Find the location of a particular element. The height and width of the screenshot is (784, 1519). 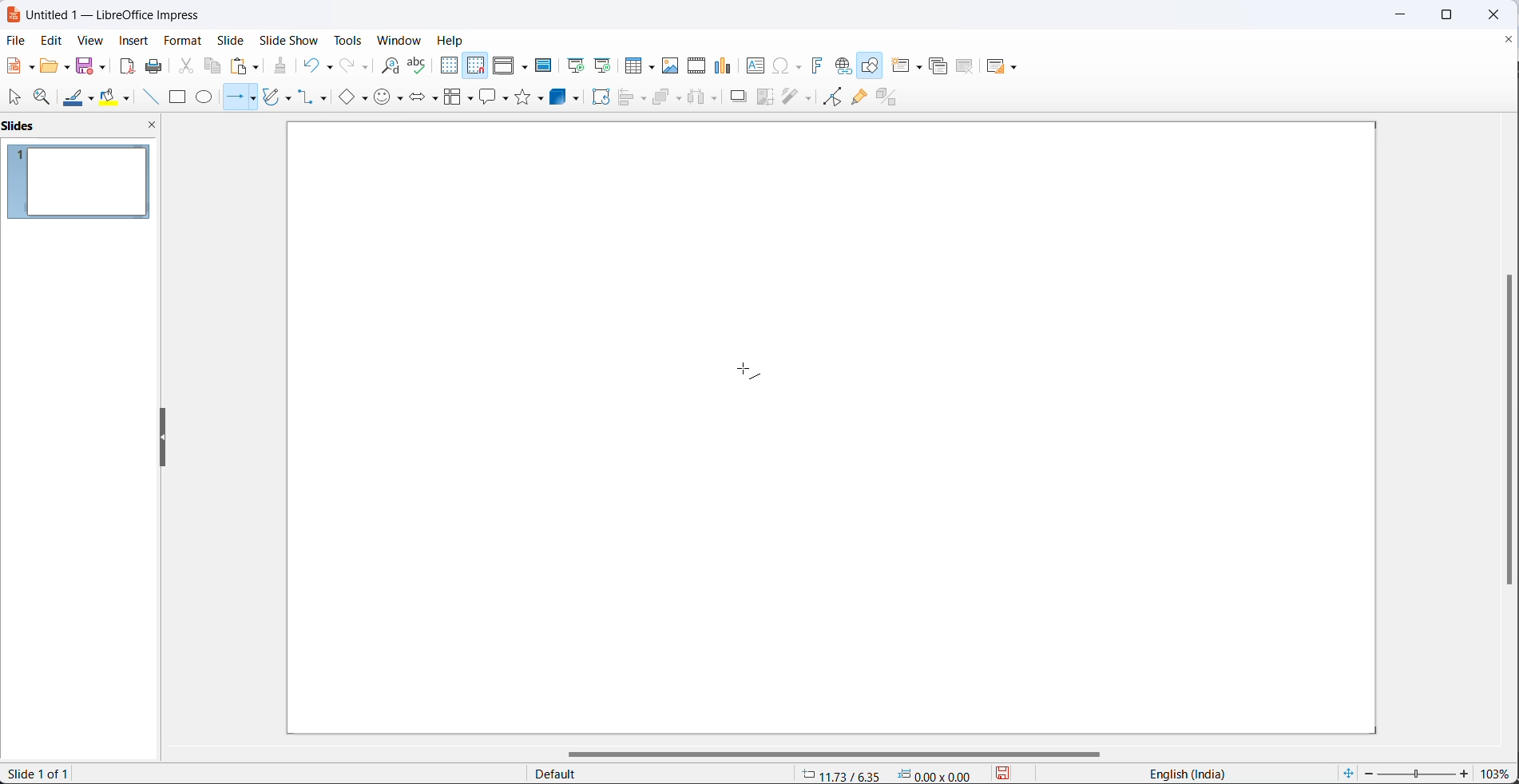

slide is located at coordinates (232, 40).